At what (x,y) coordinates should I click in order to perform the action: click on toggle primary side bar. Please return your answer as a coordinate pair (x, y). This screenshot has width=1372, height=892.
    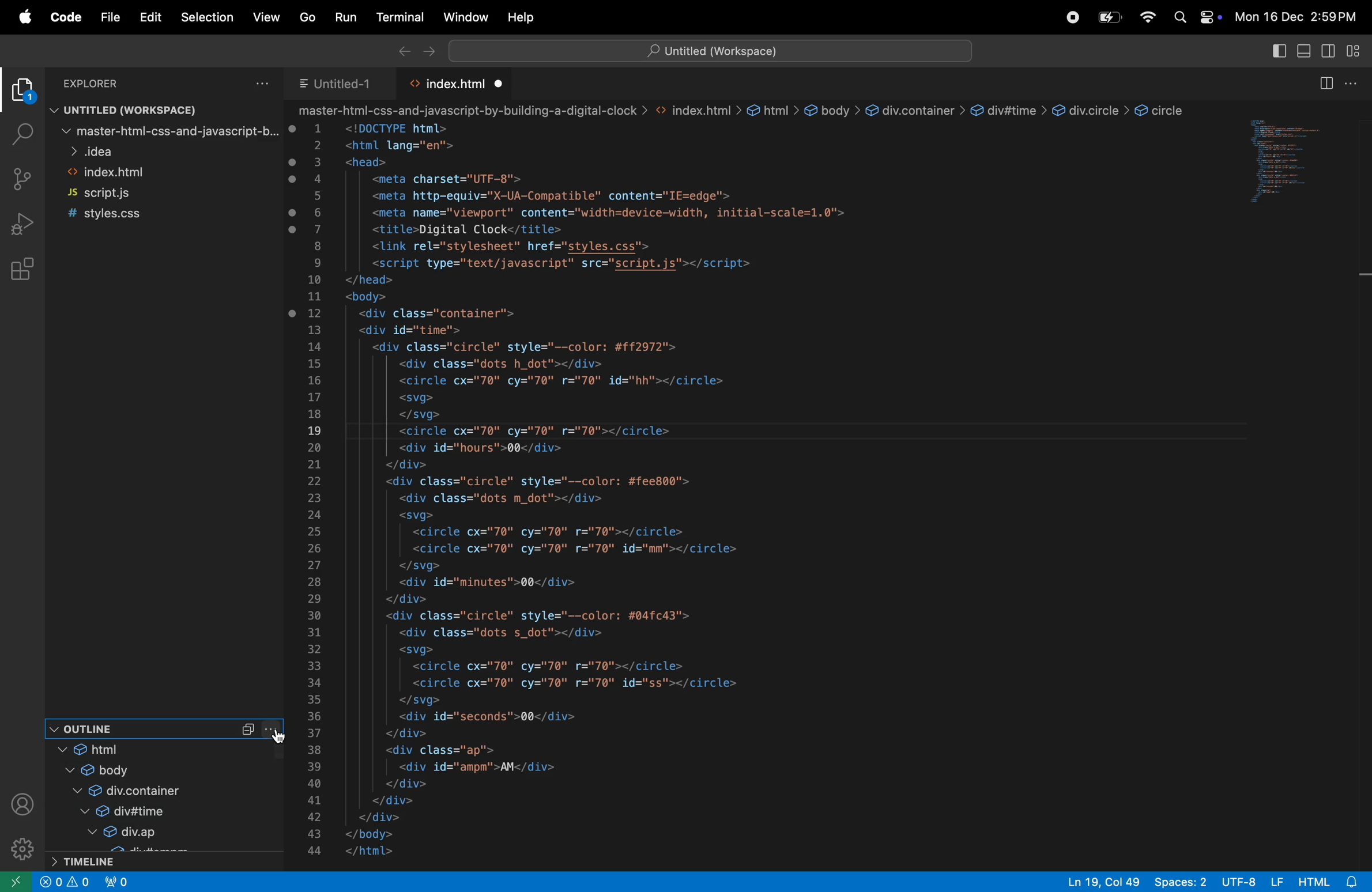
    Looking at the image, I should click on (1277, 50).